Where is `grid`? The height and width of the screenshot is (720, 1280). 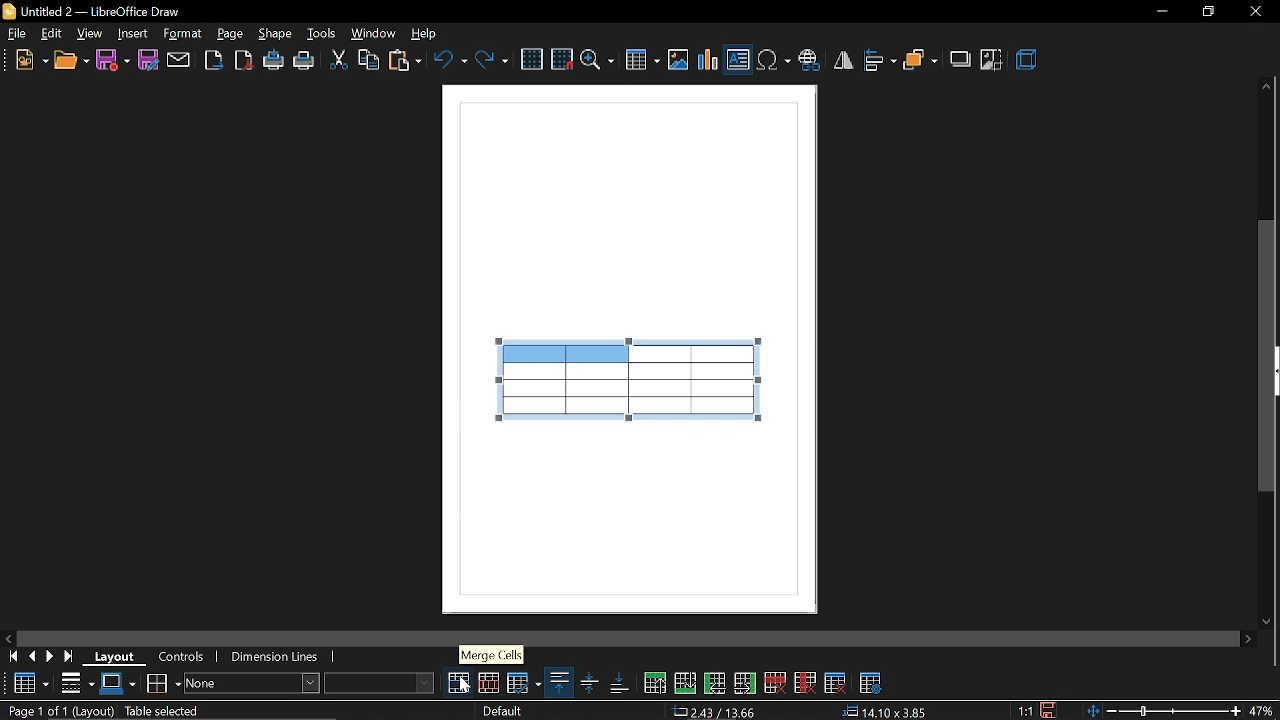
grid is located at coordinates (533, 60).